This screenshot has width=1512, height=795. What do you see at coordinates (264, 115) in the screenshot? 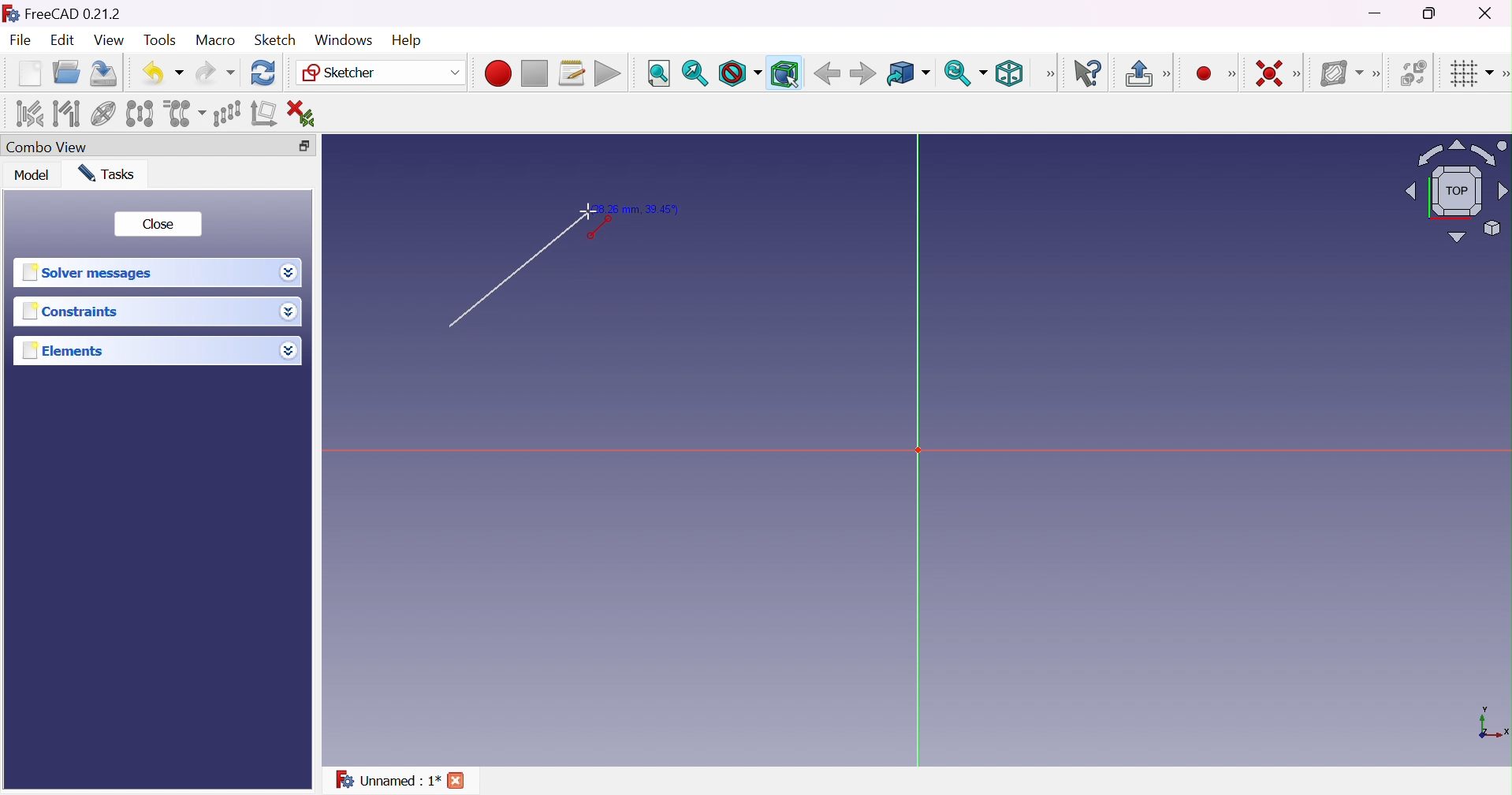
I see `Remove axes alignment` at bounding box center [264, 115].